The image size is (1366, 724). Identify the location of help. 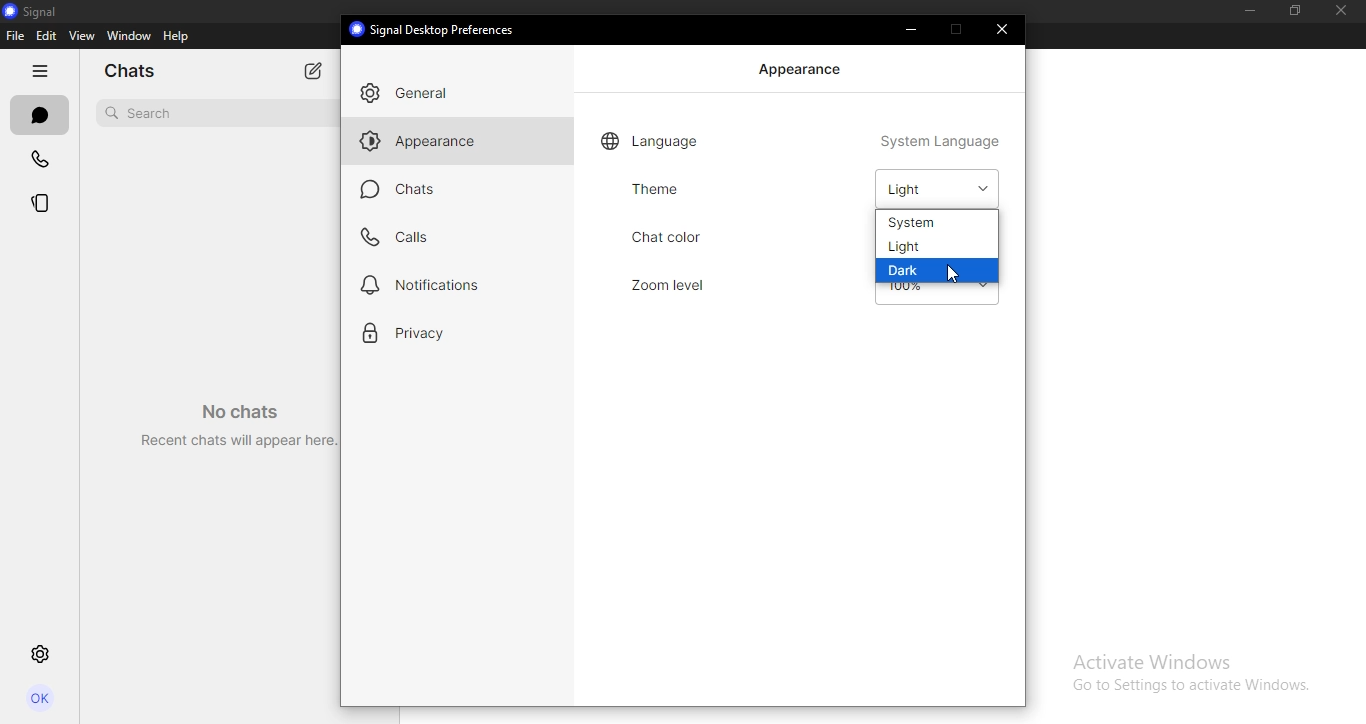
(177, 37).